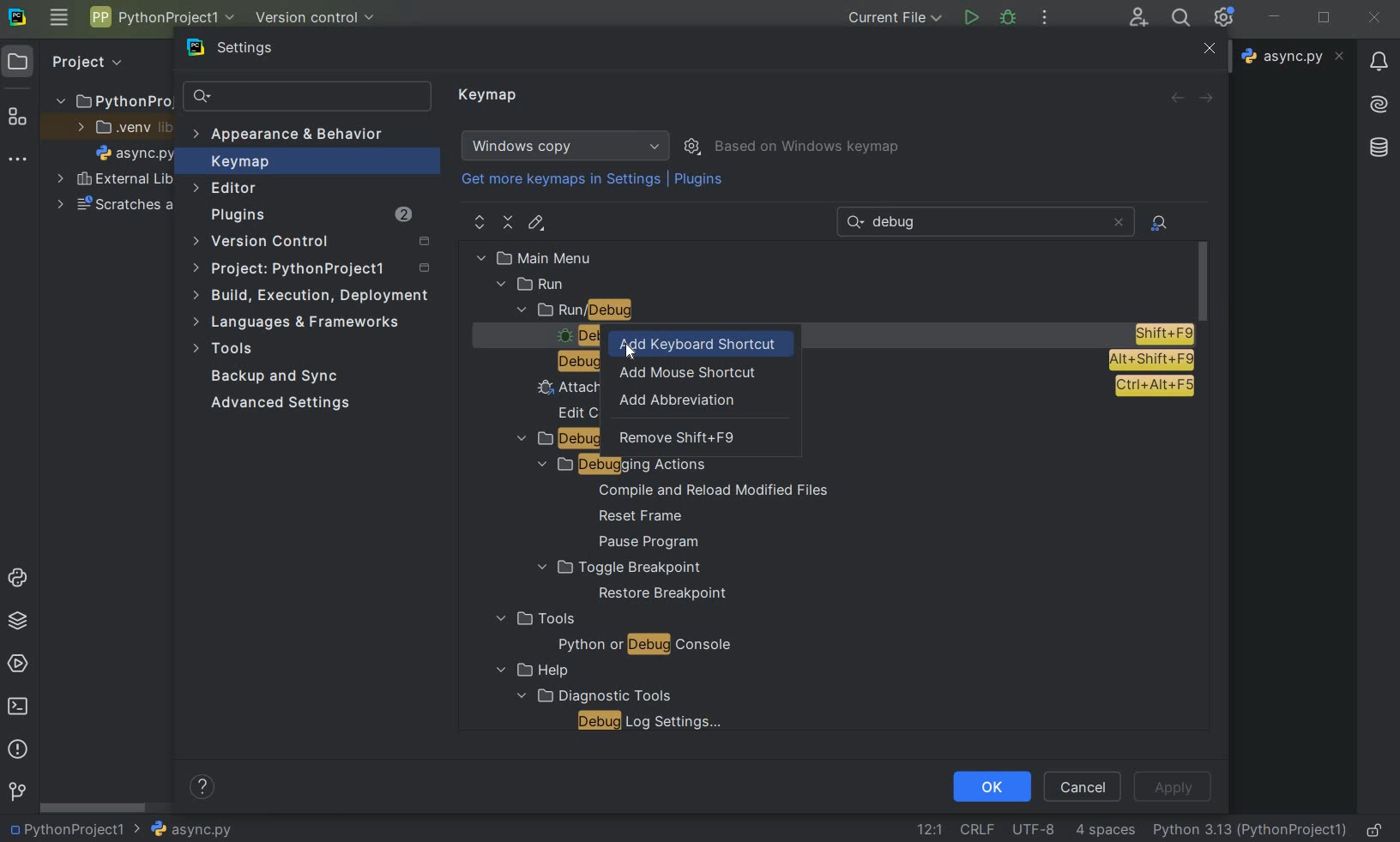 The width and height of the screenshot is (1400, 842). I want to click on scratches and consoles, so click(116, 207).